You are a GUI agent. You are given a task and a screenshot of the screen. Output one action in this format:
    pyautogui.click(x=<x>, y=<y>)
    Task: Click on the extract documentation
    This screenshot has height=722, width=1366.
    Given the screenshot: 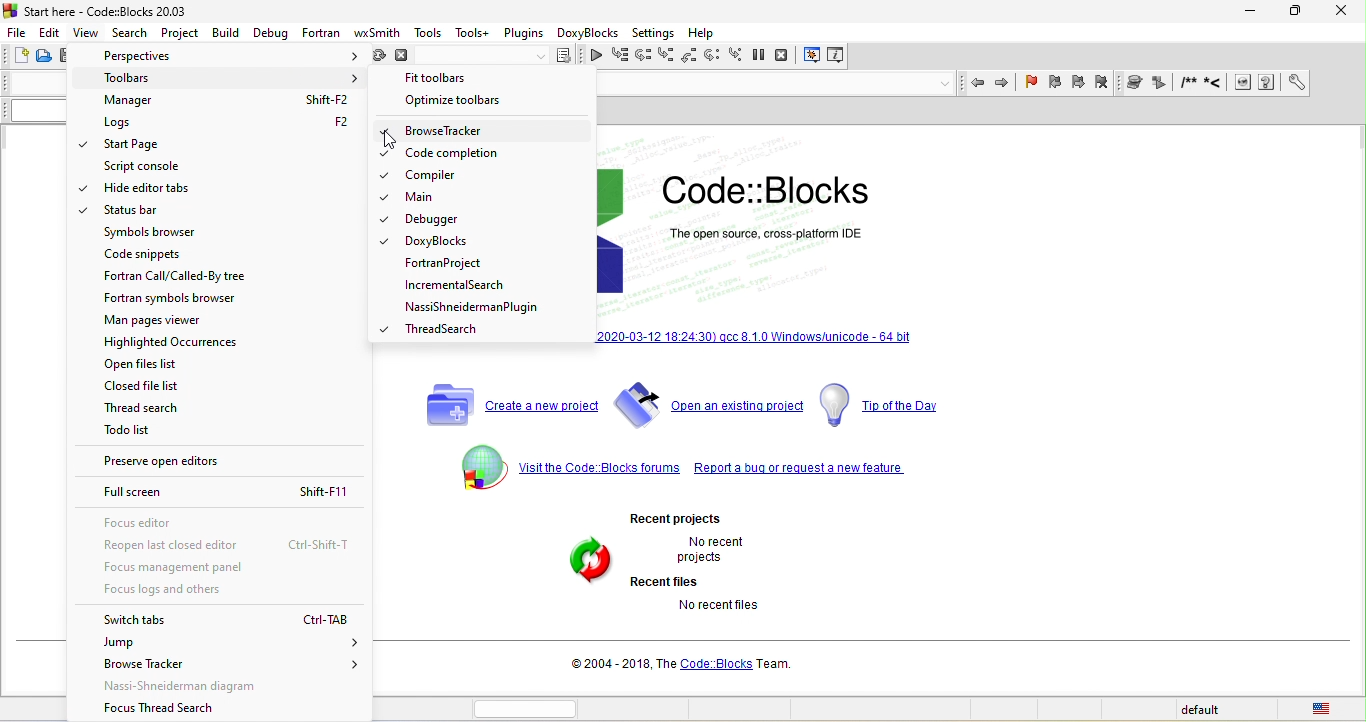 What is the action you would take?
    pyautogui.click(x=1162, y=84)
    